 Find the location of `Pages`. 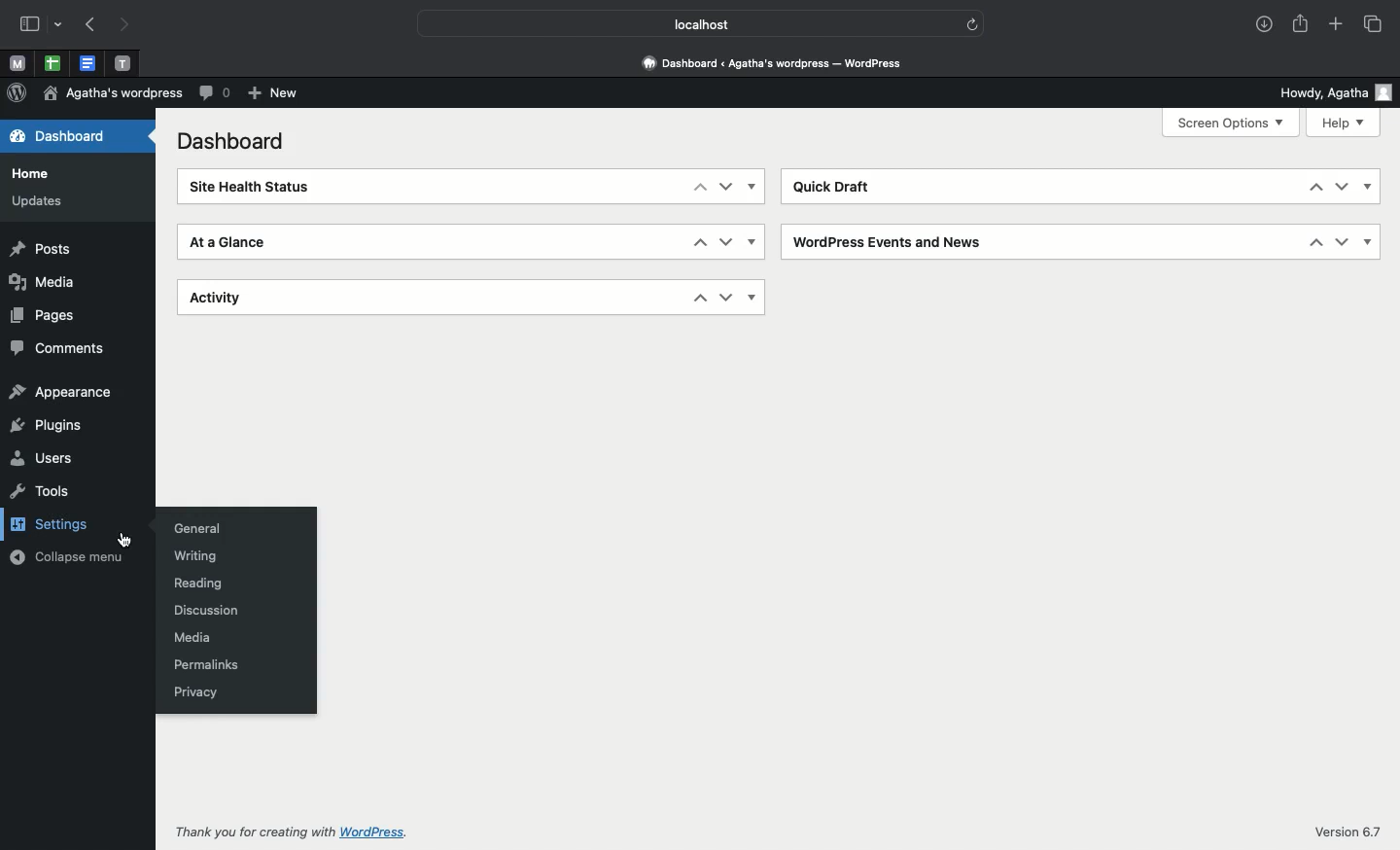

Pages is located at coordinates (42, 314).